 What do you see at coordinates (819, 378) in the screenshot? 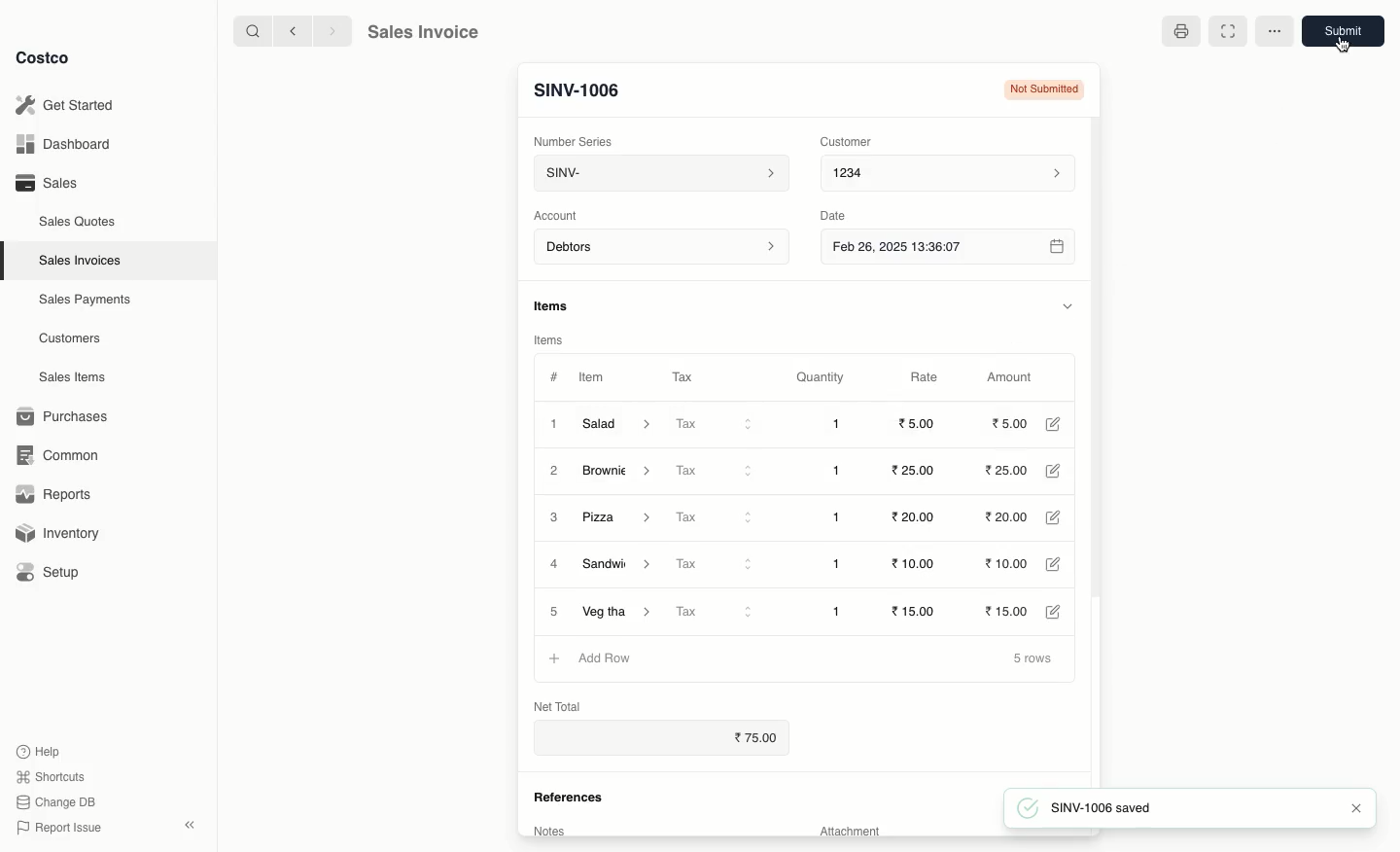
I see `Quantity` at bounding box center [819, 378].